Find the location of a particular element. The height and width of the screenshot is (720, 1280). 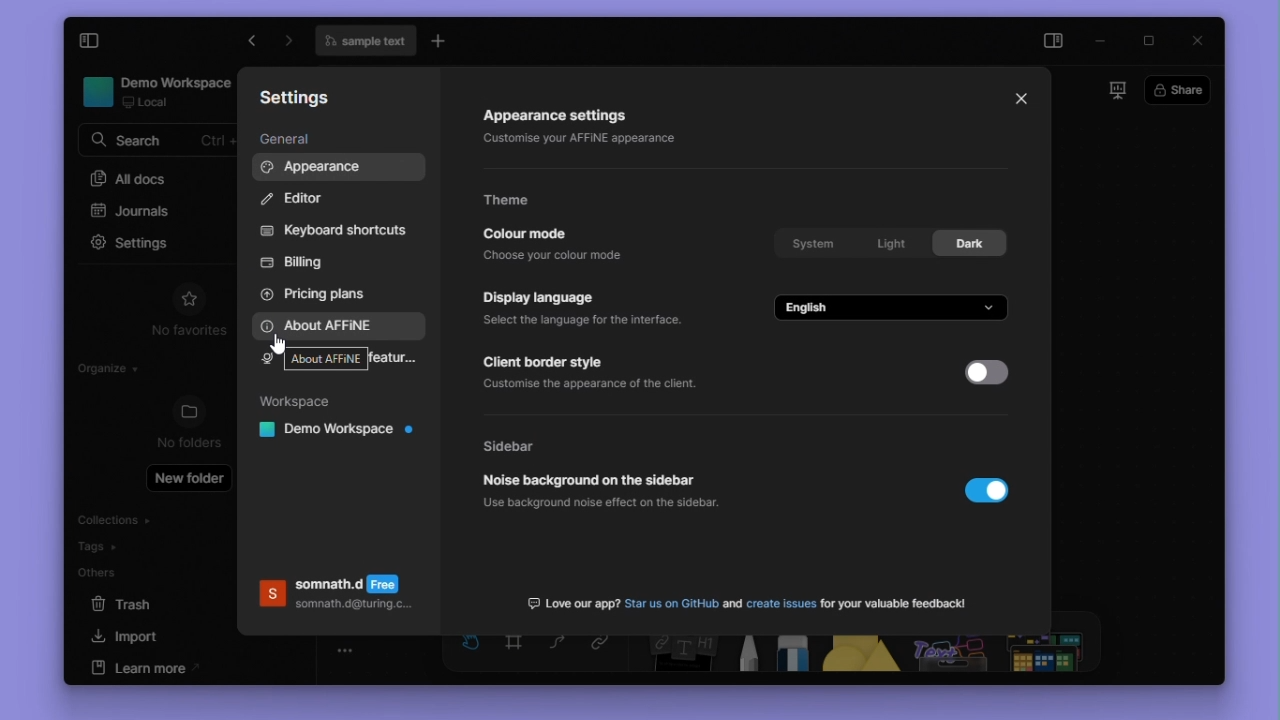

Toggle switch is located at coordinates (985, 373).